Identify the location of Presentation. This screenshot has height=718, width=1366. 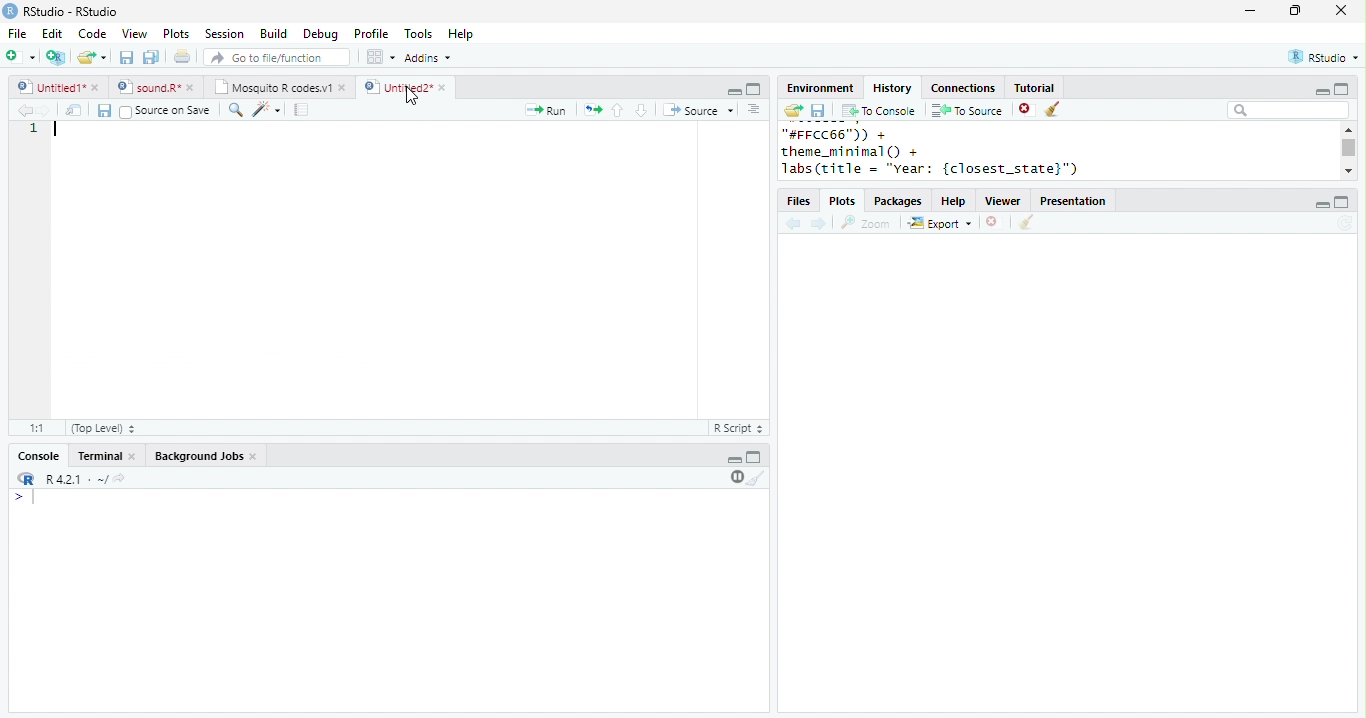
(1073, 201).